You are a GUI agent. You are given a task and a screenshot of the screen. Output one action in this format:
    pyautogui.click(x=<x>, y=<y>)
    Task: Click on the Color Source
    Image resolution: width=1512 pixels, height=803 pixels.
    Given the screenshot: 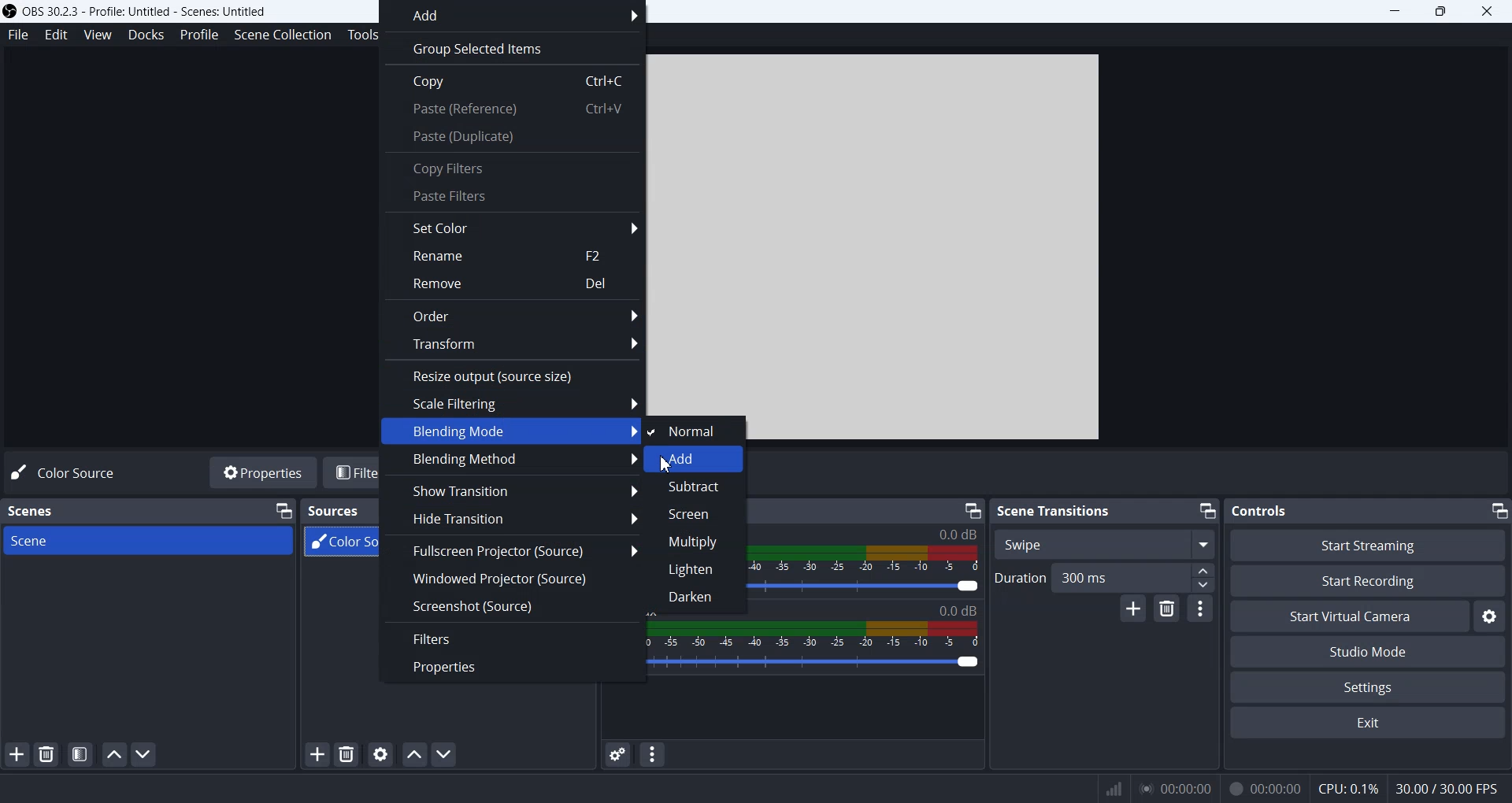 What is the action you would take?
    pyautogui.click(x=67, y=472)
    